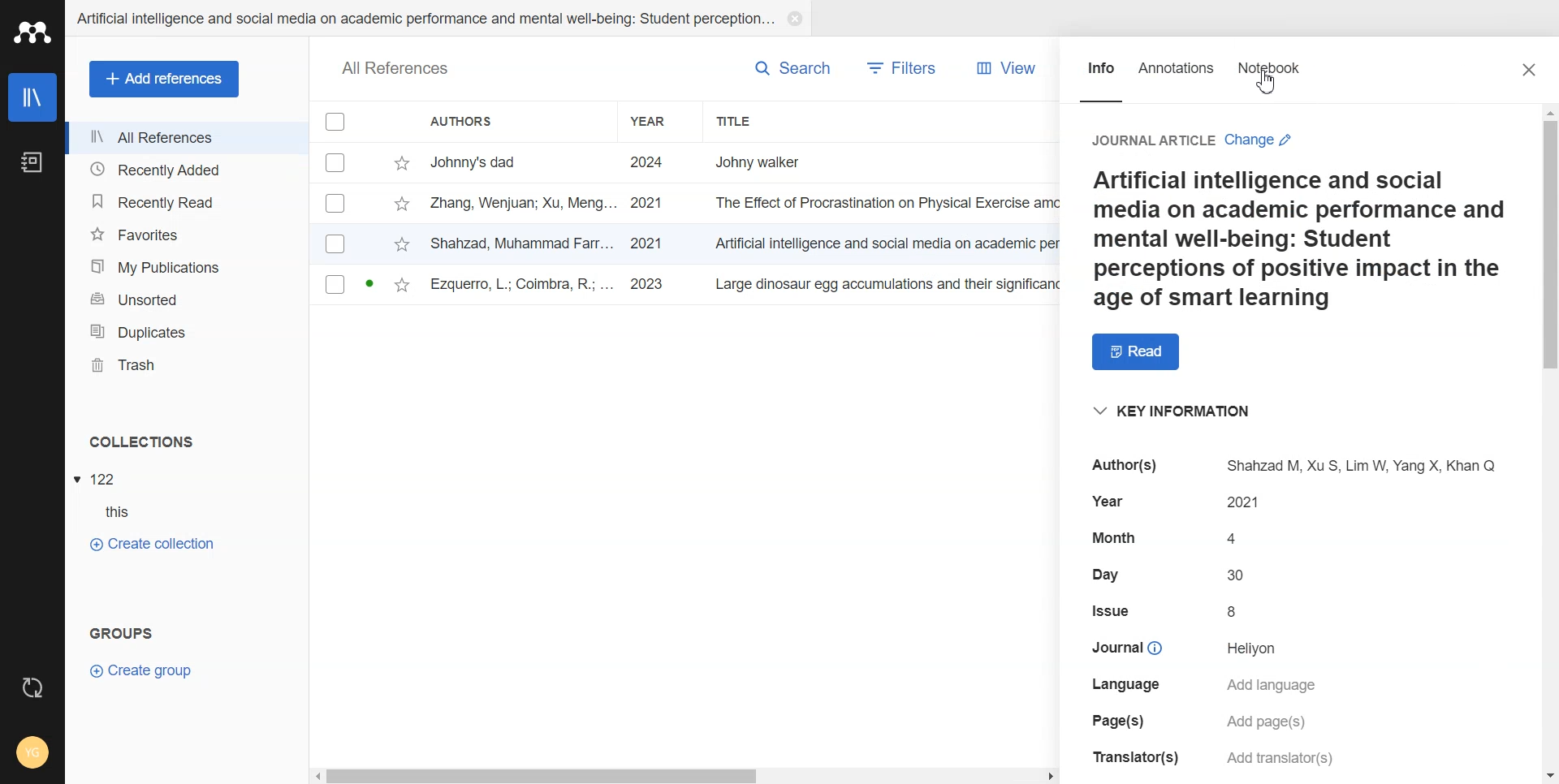 The image size is (1559, 784). Describe the element at coordinates (889, 203) in the screenshot. I see `the effect of procrastination on physical exercise amo` at that location.